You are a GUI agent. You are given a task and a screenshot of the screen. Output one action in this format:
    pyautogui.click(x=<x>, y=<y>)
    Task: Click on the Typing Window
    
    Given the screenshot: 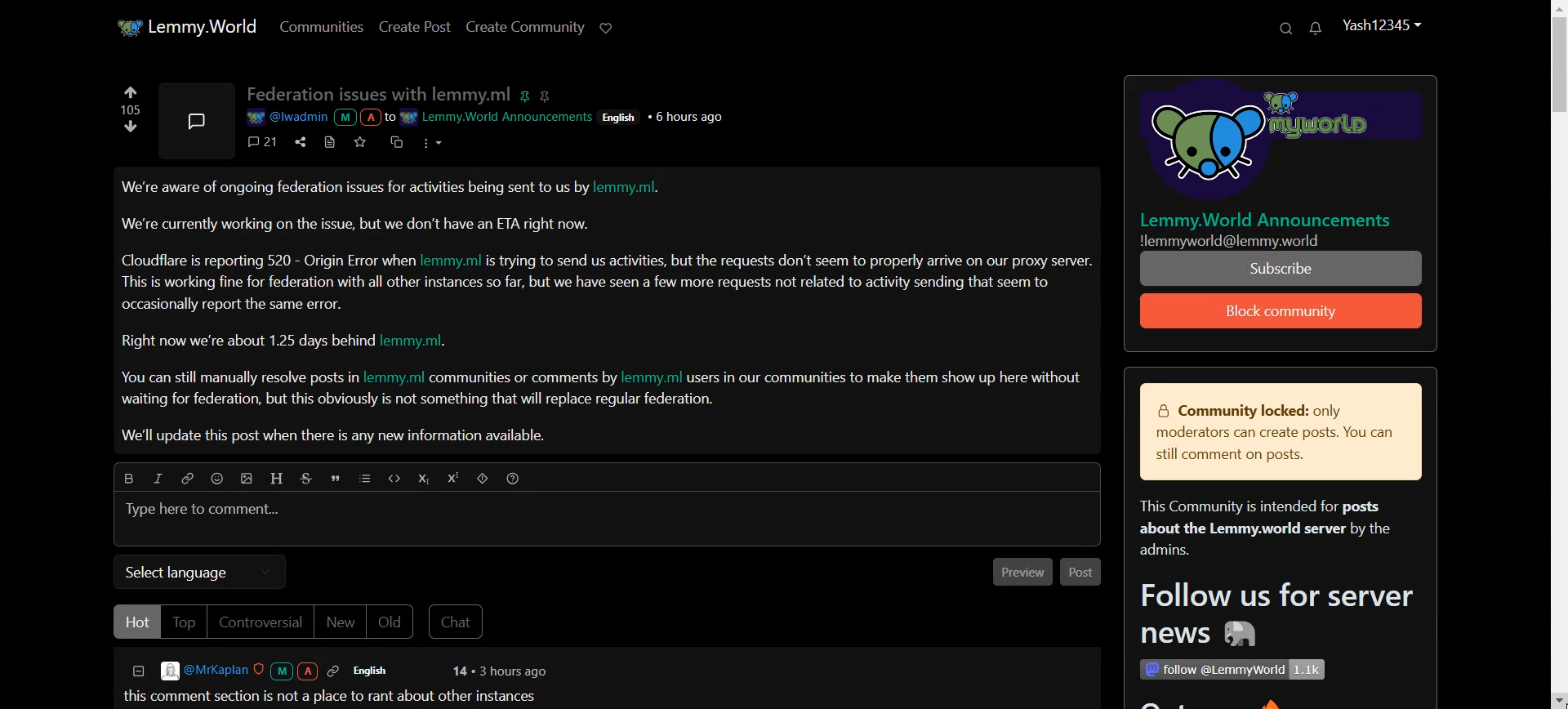 What is the action you would take?
    pyautogui.click(x=604, y=520)
    